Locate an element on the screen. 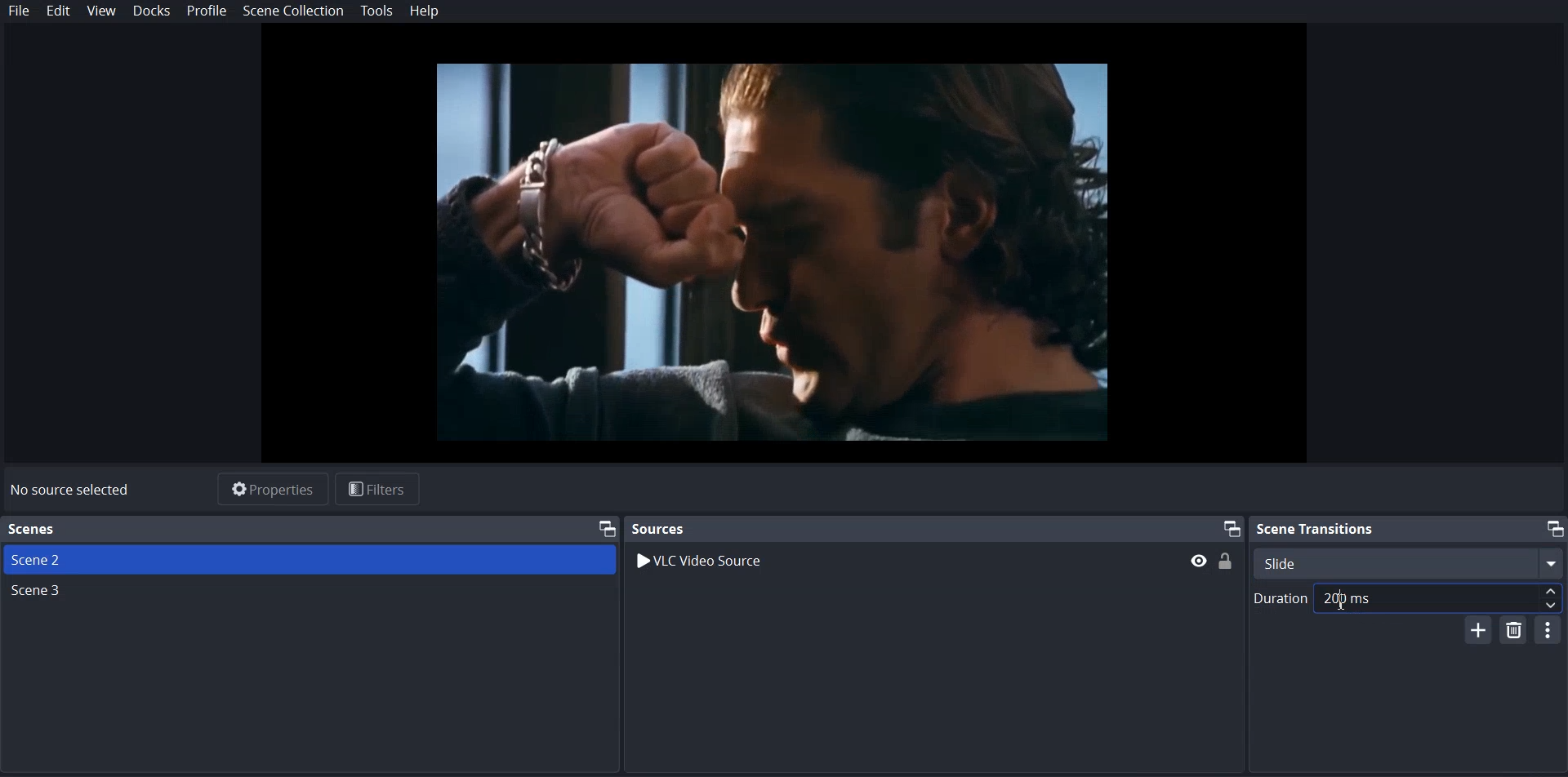  Tools is located at coordinates (377, 11).